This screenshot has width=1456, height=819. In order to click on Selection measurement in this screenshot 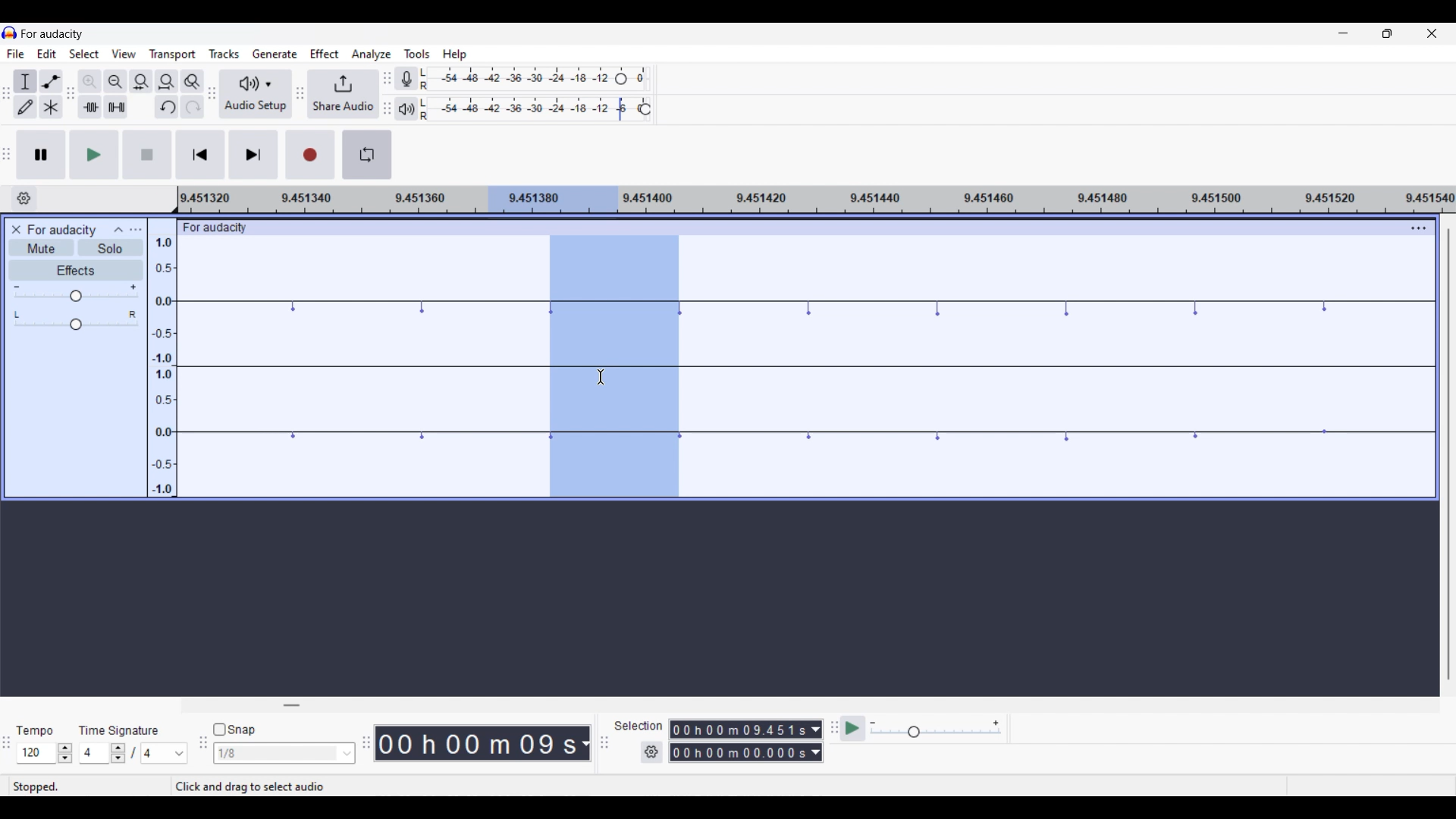, I will do `click(815, 741)`.